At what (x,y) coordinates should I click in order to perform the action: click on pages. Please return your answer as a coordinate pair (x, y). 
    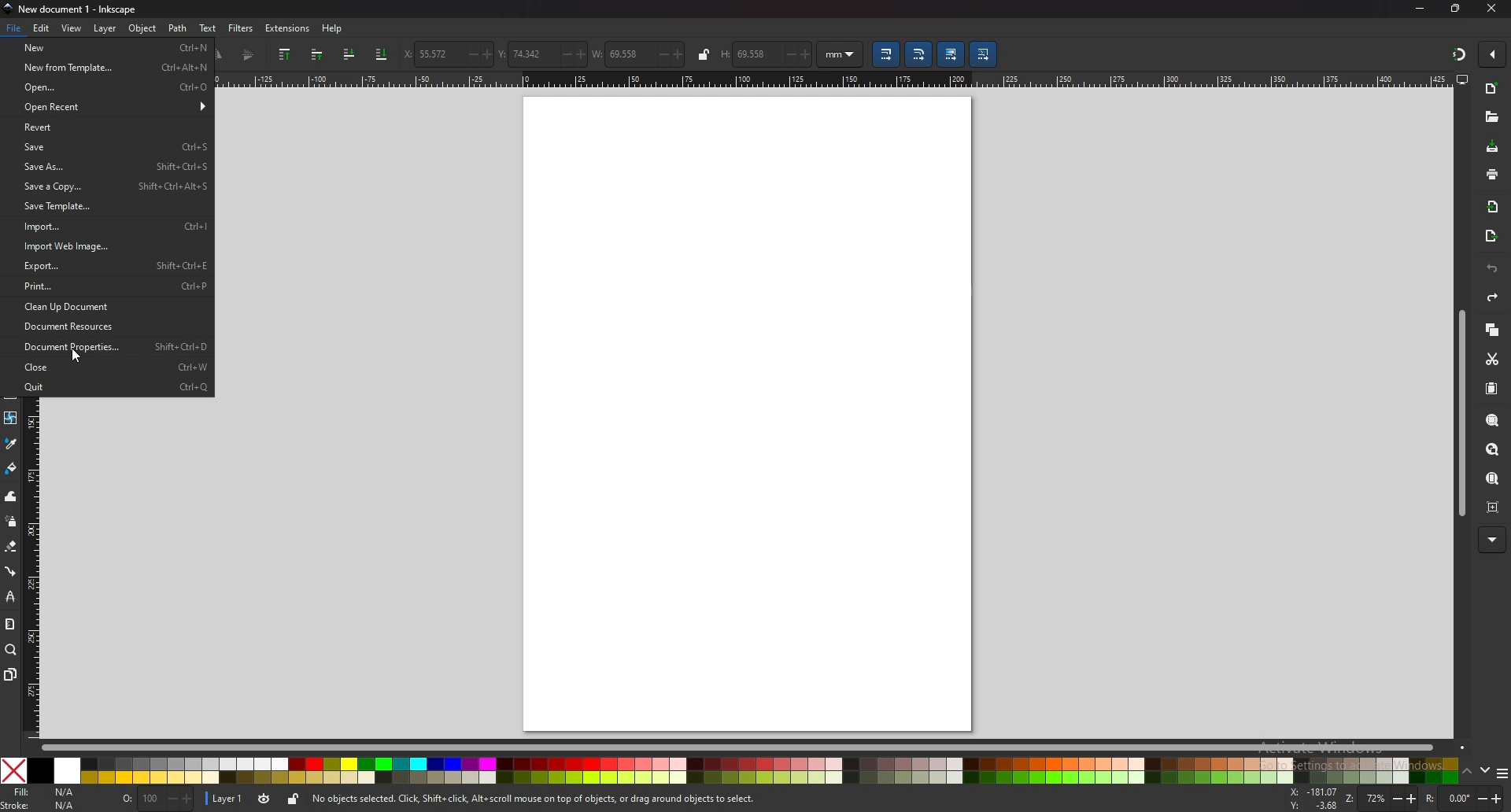
    Looking at the image, I should click on (10, 674).